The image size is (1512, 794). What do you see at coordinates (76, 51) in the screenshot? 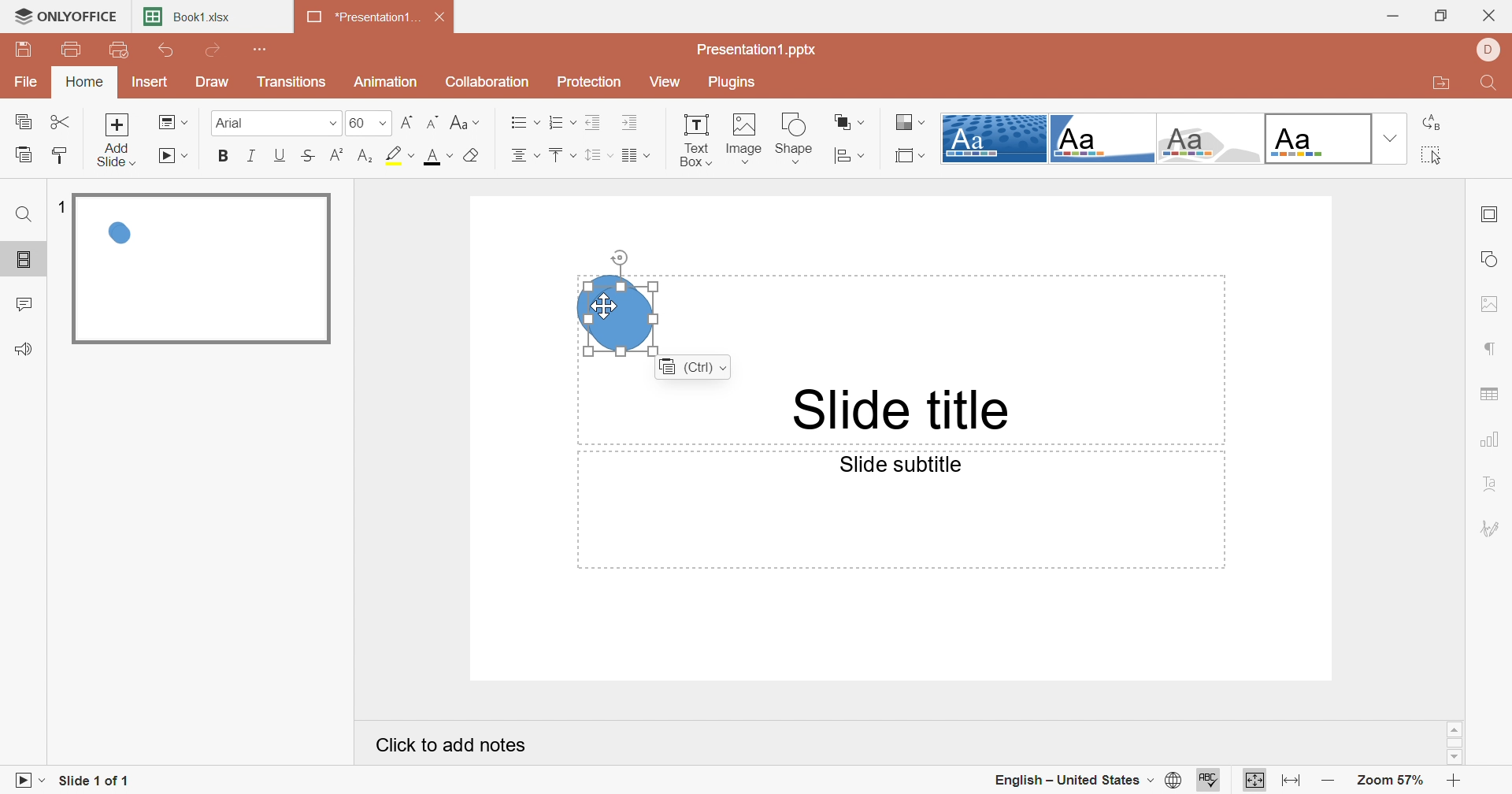
I see `Print` at bounding box center [76, 51].